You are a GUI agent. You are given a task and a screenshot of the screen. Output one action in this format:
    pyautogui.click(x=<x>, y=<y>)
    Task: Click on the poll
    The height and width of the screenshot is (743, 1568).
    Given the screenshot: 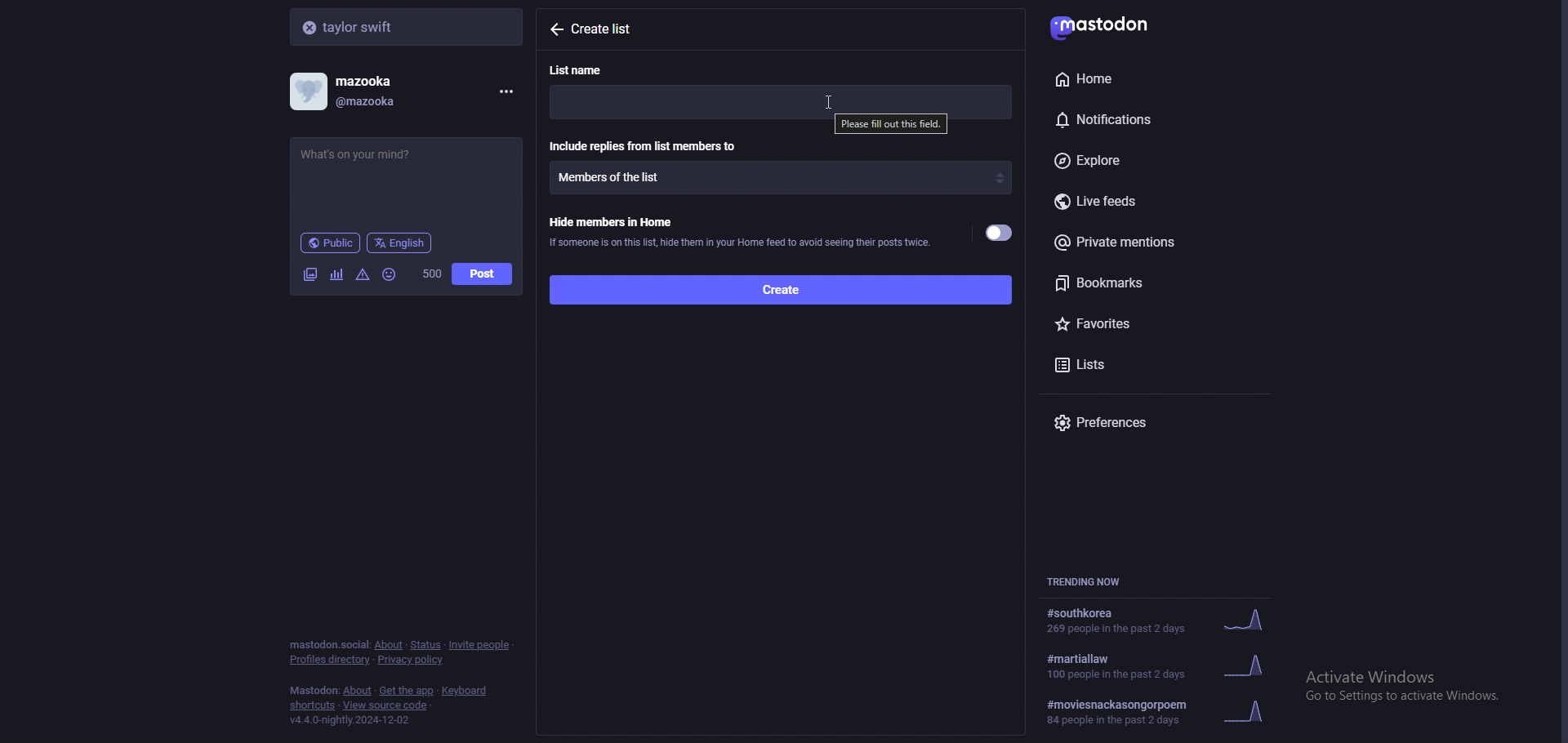 What is the action you would take?
    pyautogui.click(x=336, y=274)
    